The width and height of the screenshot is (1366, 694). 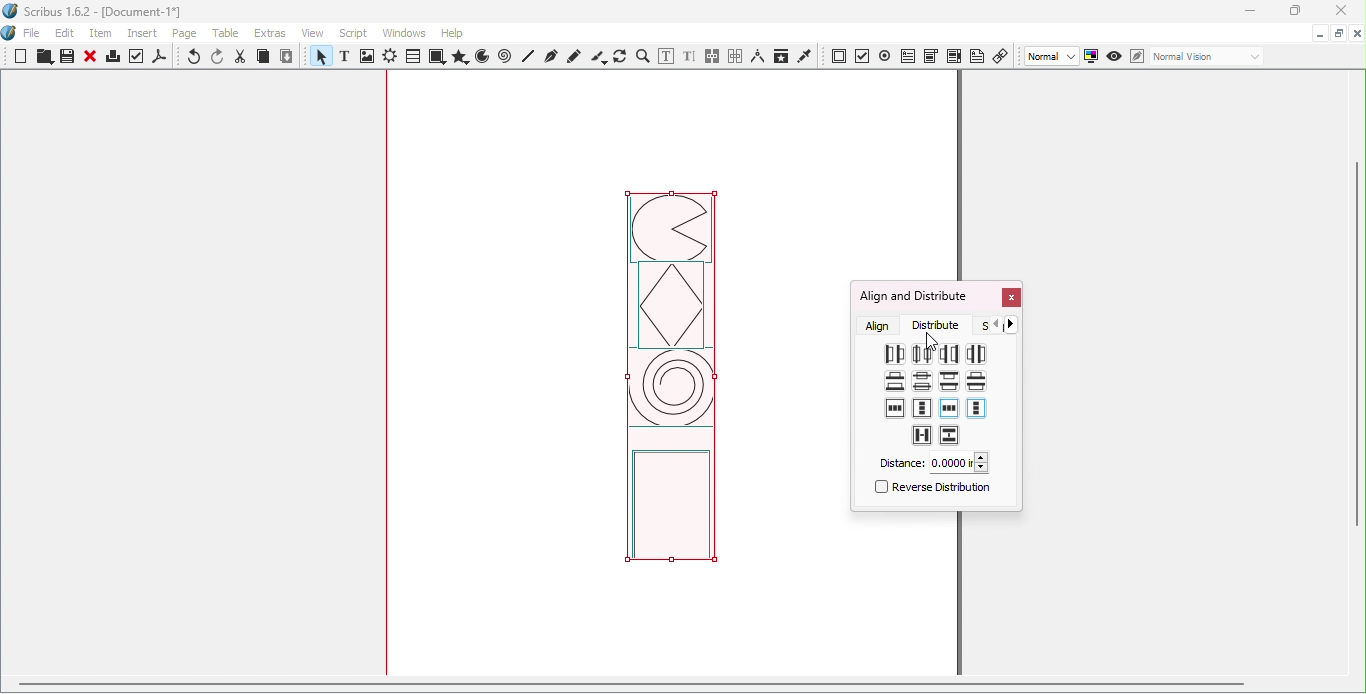 I want to click on PDF check button, so click(x=863, y=55).